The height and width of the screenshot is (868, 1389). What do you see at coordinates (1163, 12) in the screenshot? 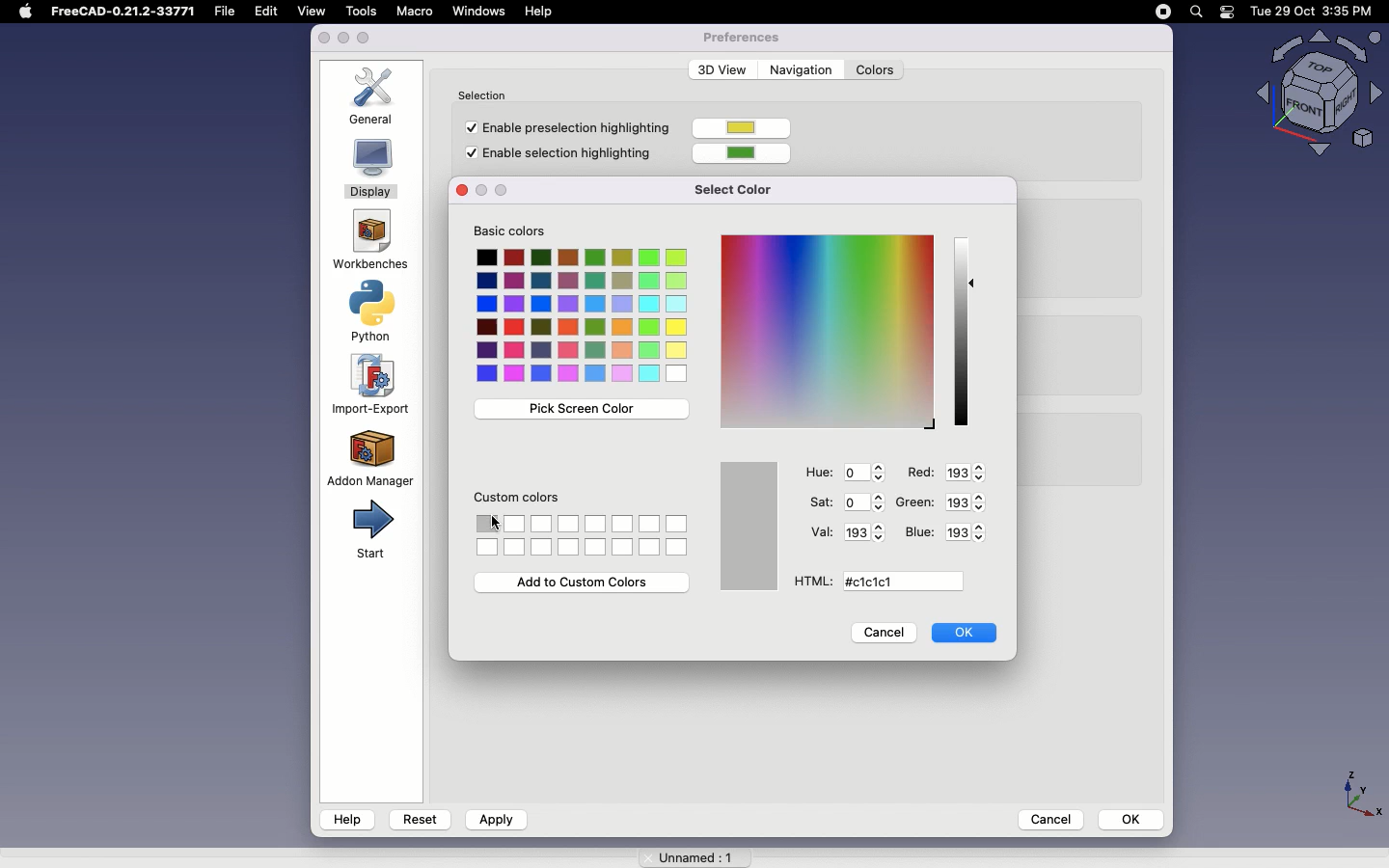
I see `pause` at bounding box center [1163, 12].